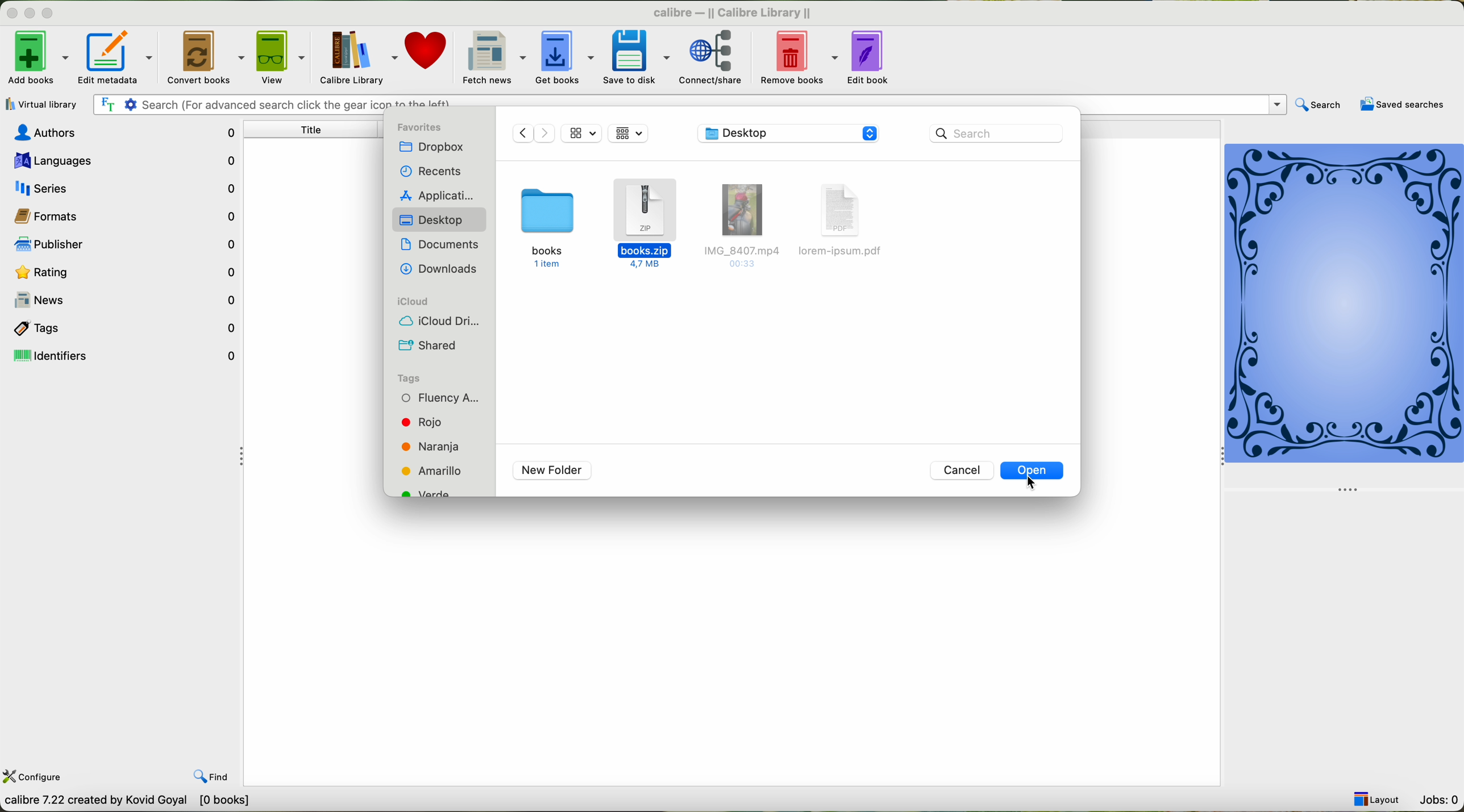 This screenshot has width=1464, height=812. I want to click on green tag, so click(435, 492).